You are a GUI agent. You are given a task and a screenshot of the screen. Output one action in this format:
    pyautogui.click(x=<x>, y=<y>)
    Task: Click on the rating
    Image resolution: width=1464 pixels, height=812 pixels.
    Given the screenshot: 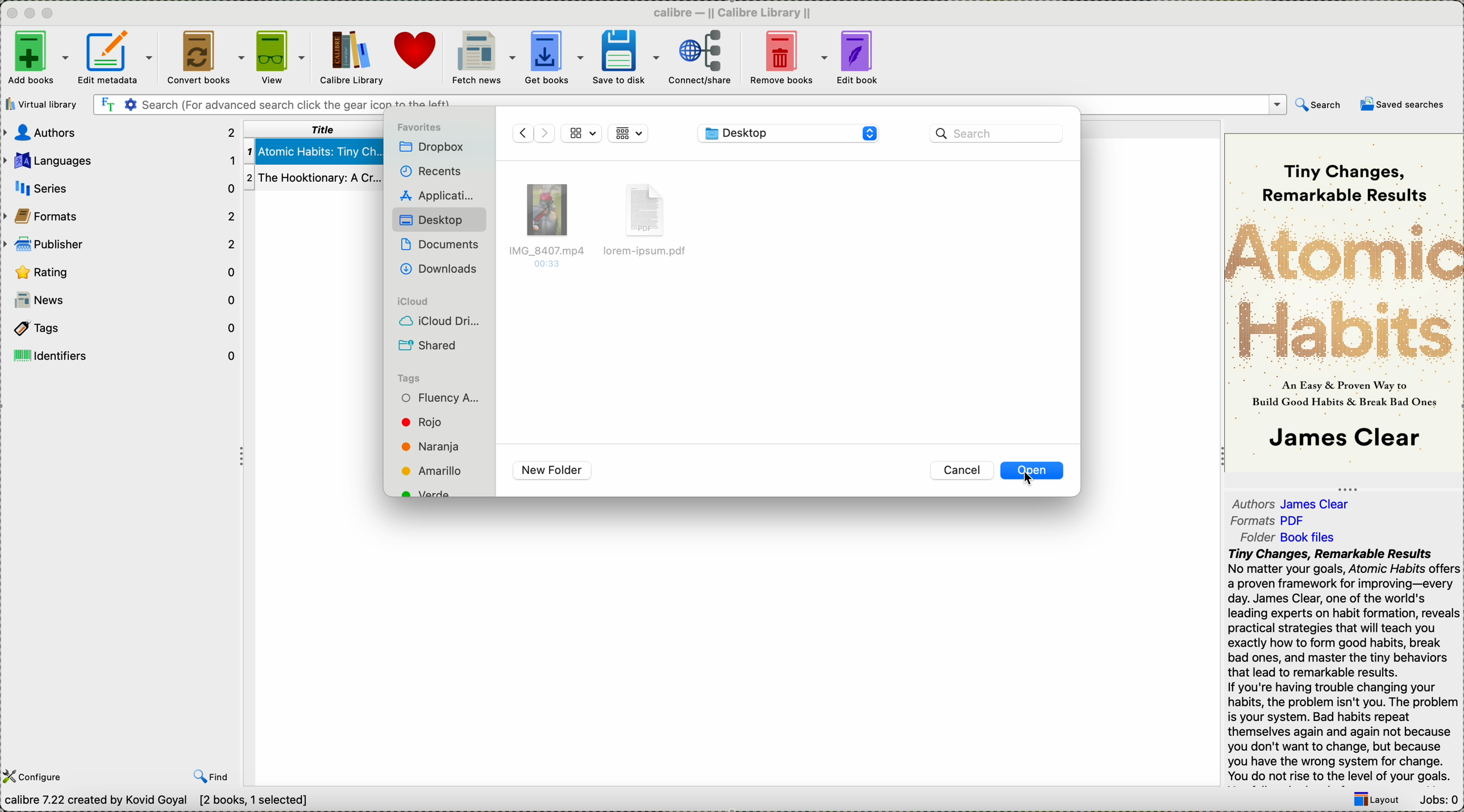 What is the action you would take?
    pyautogui.click(x=118, y=270)
    